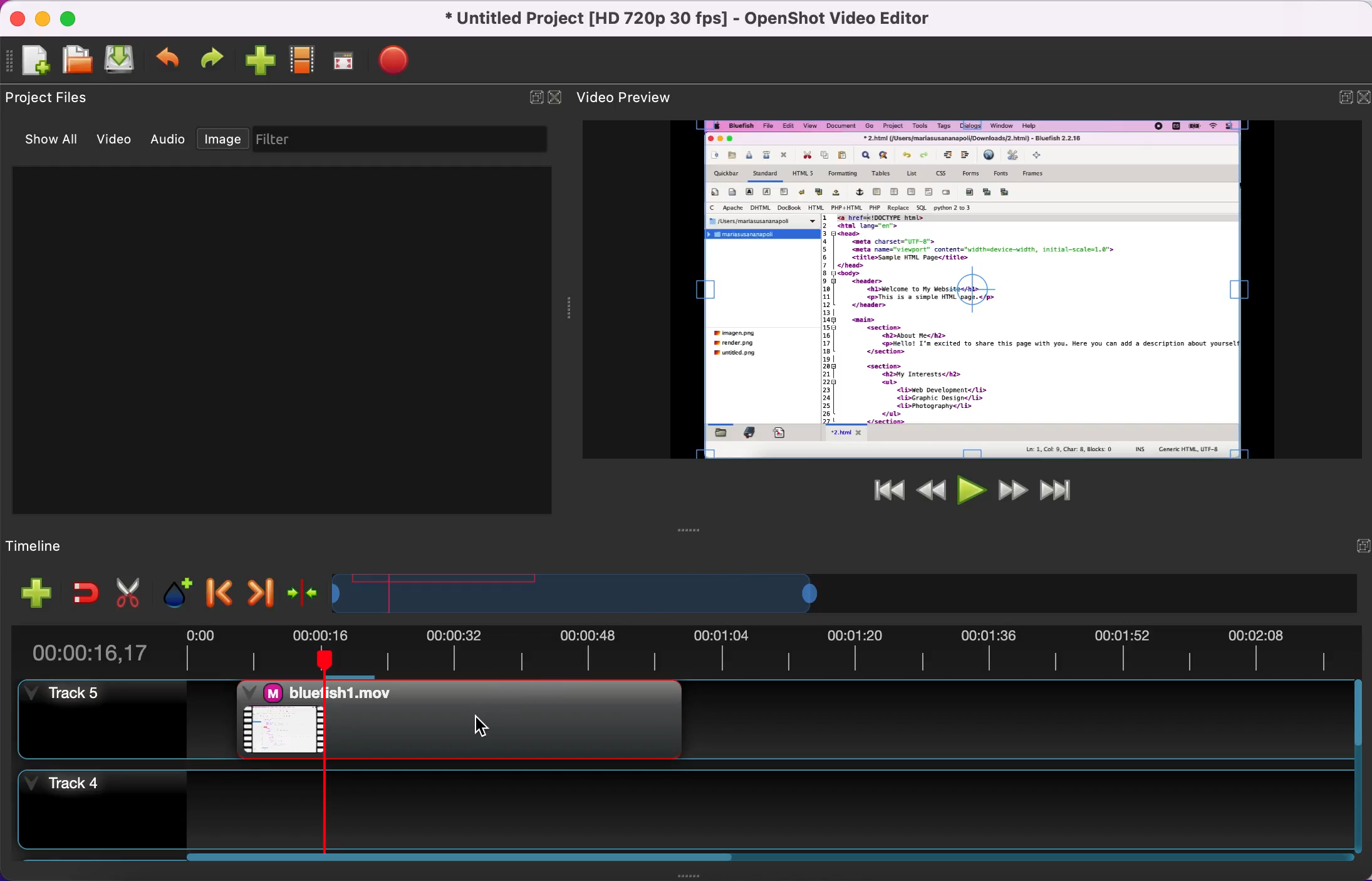 The height and width of the screenshot is (881, 1372). I want to click on expand/hide, so click(530, 97).